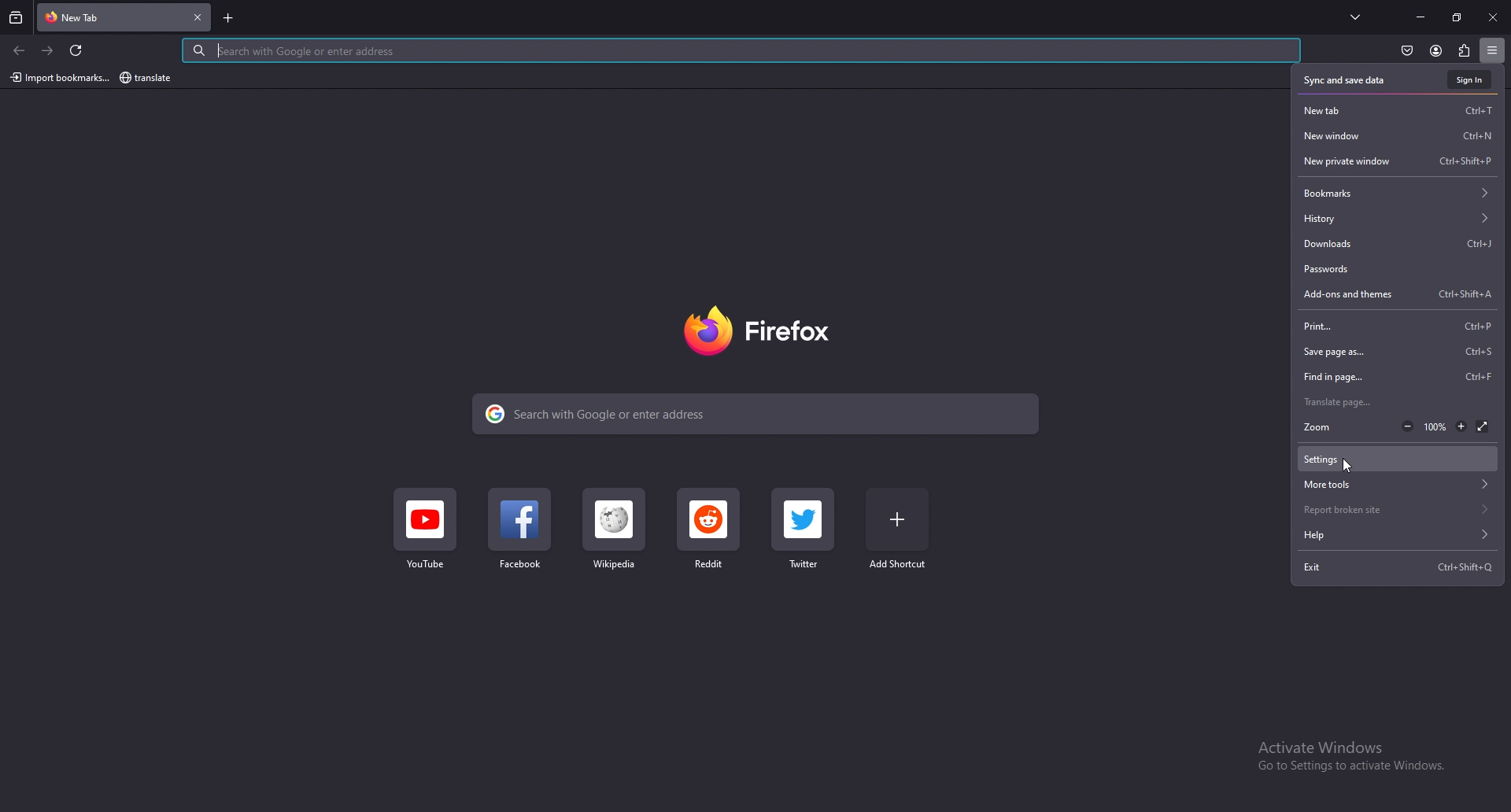 This screenshot has width=1511, height=812. I want to click on forward, so click(50, 50).